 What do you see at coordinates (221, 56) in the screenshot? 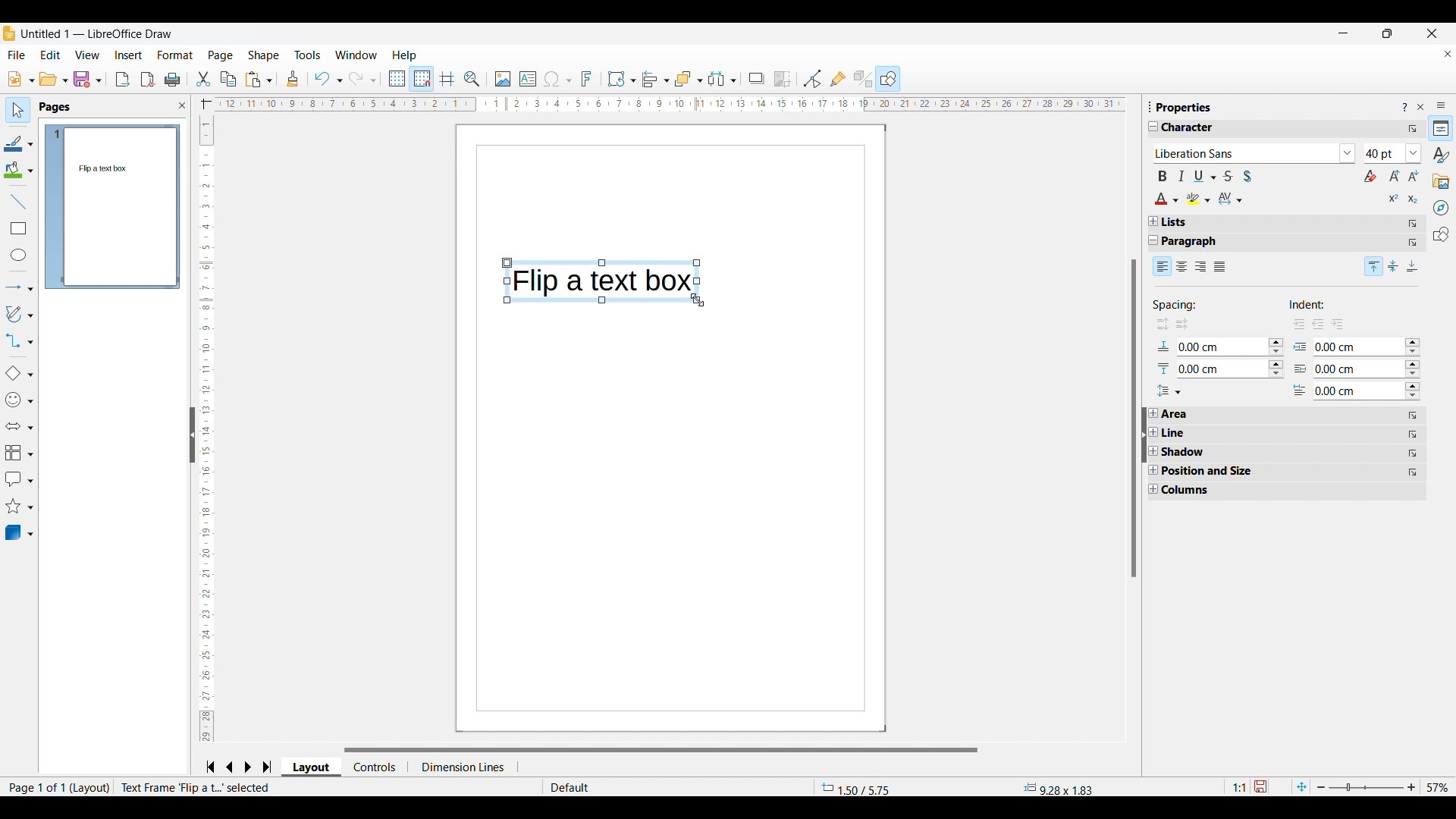
I see `Page menu` at bounding box center [221, 56].